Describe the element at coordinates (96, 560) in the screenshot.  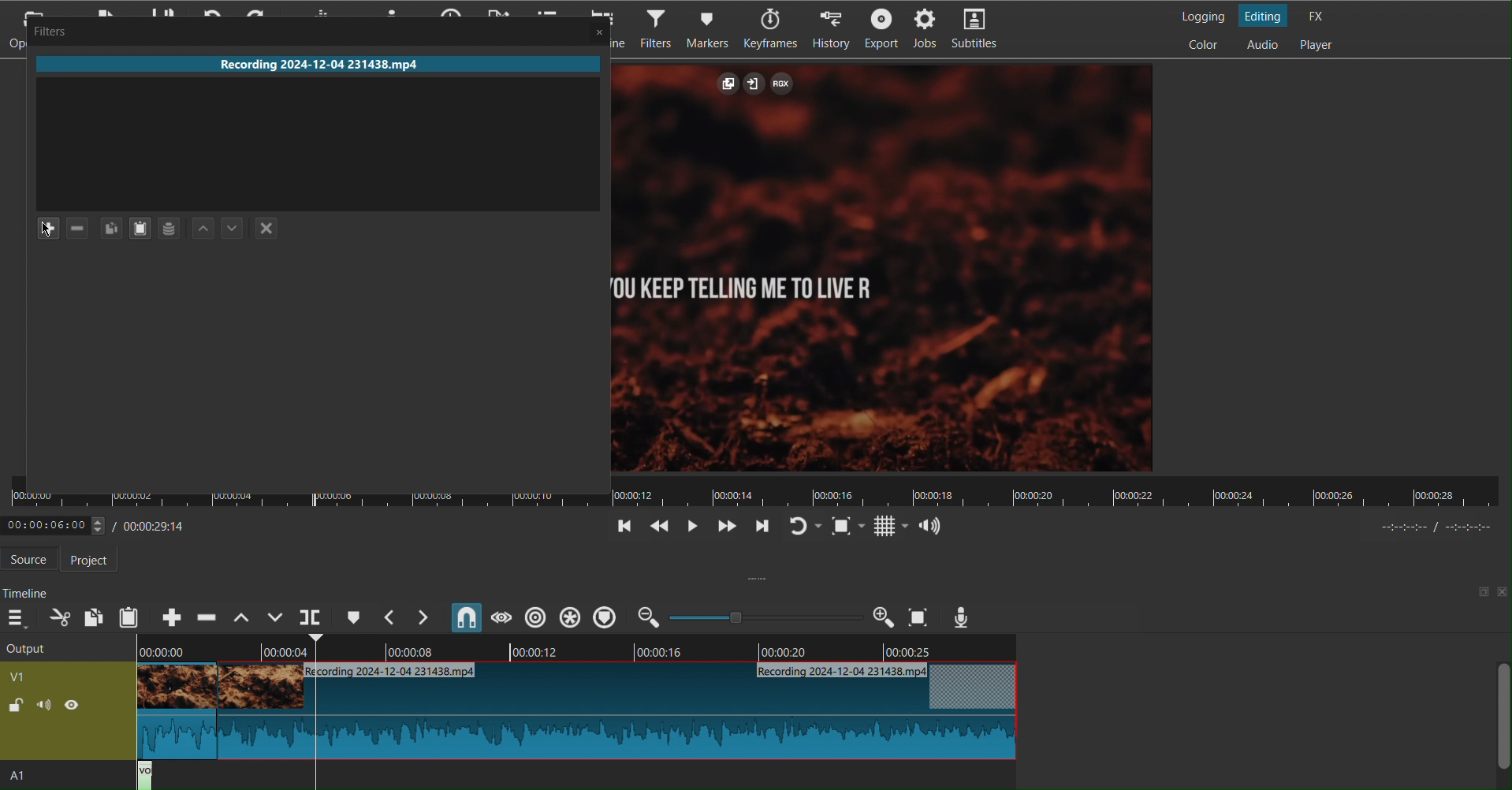
I see `Project` at that location.